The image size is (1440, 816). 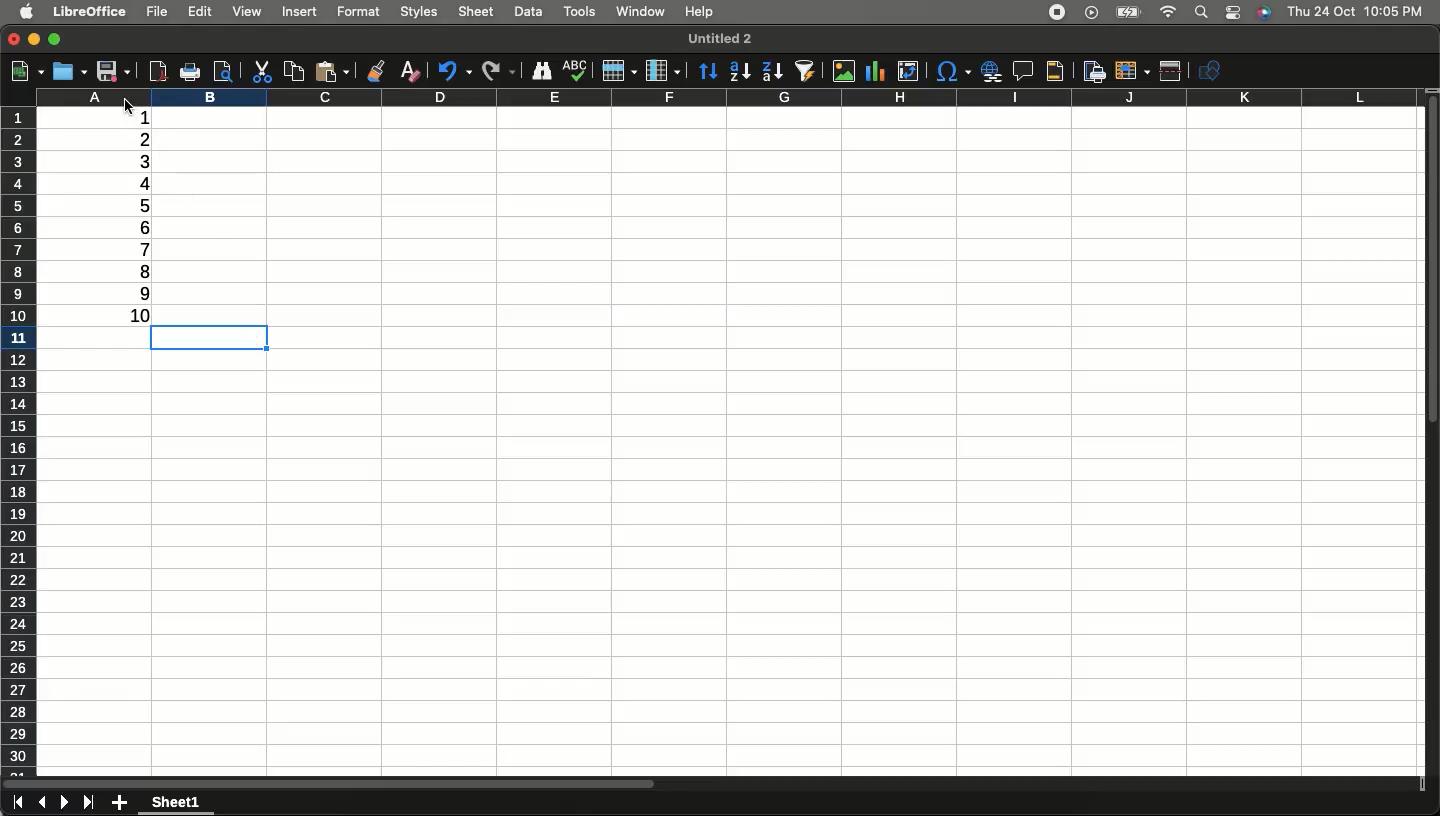 I want to click on Save, so click(x=113, y=71).